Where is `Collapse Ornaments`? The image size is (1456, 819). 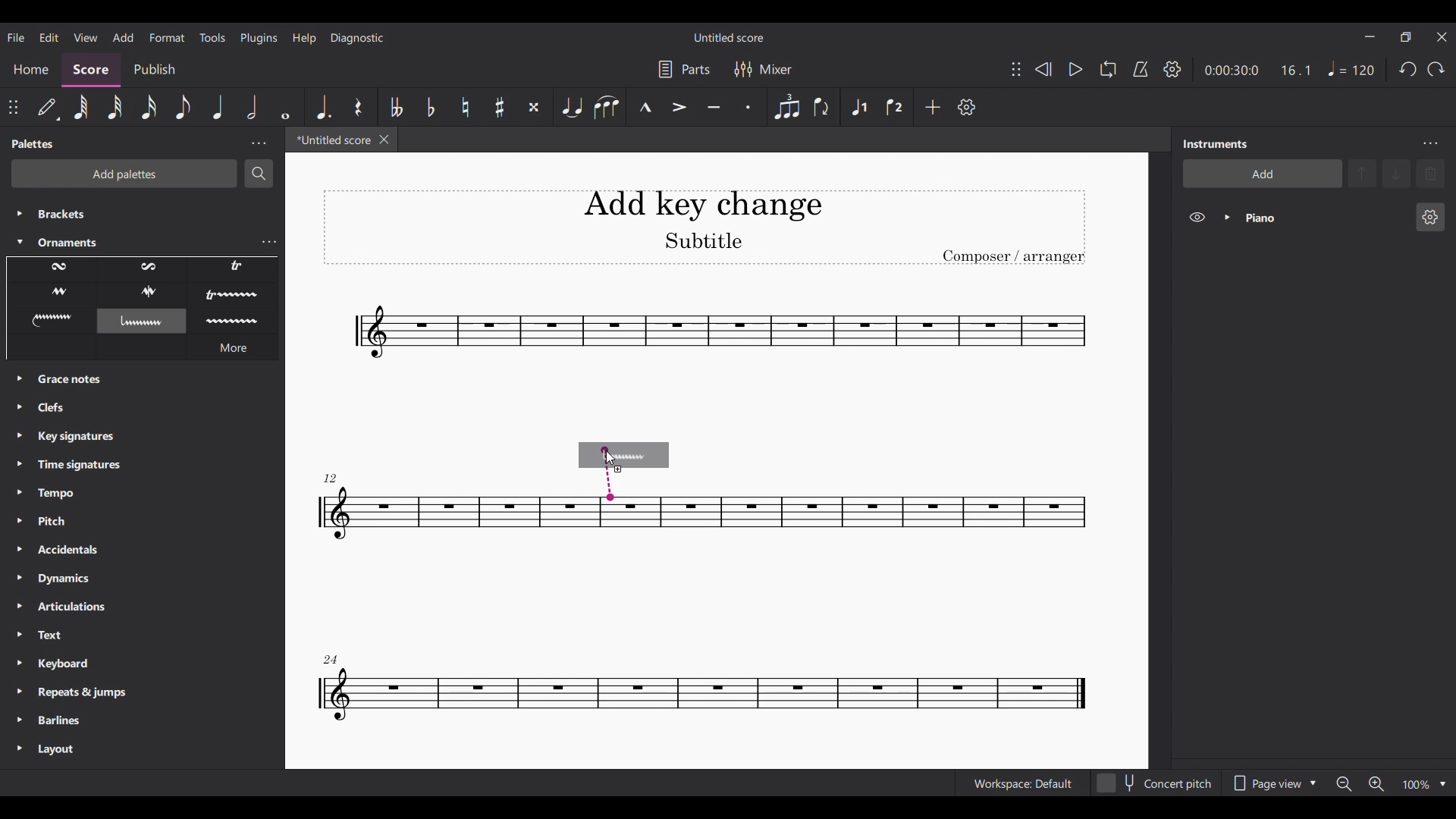 Collapse Ornaments is located at coordinates (20, 242).